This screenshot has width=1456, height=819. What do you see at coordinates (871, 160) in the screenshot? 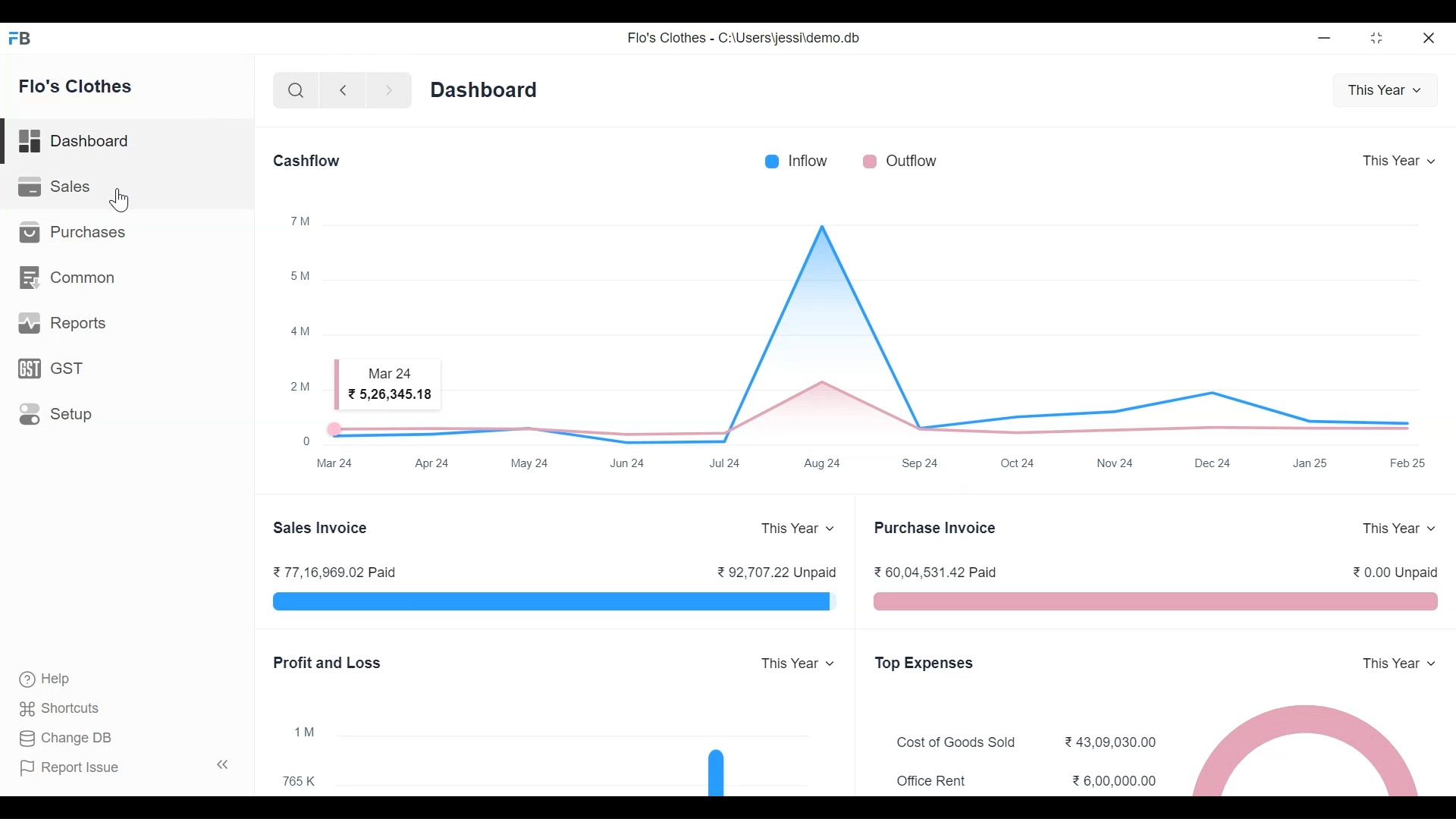
I see `outflow color bar` at bounding box center [871, 160].